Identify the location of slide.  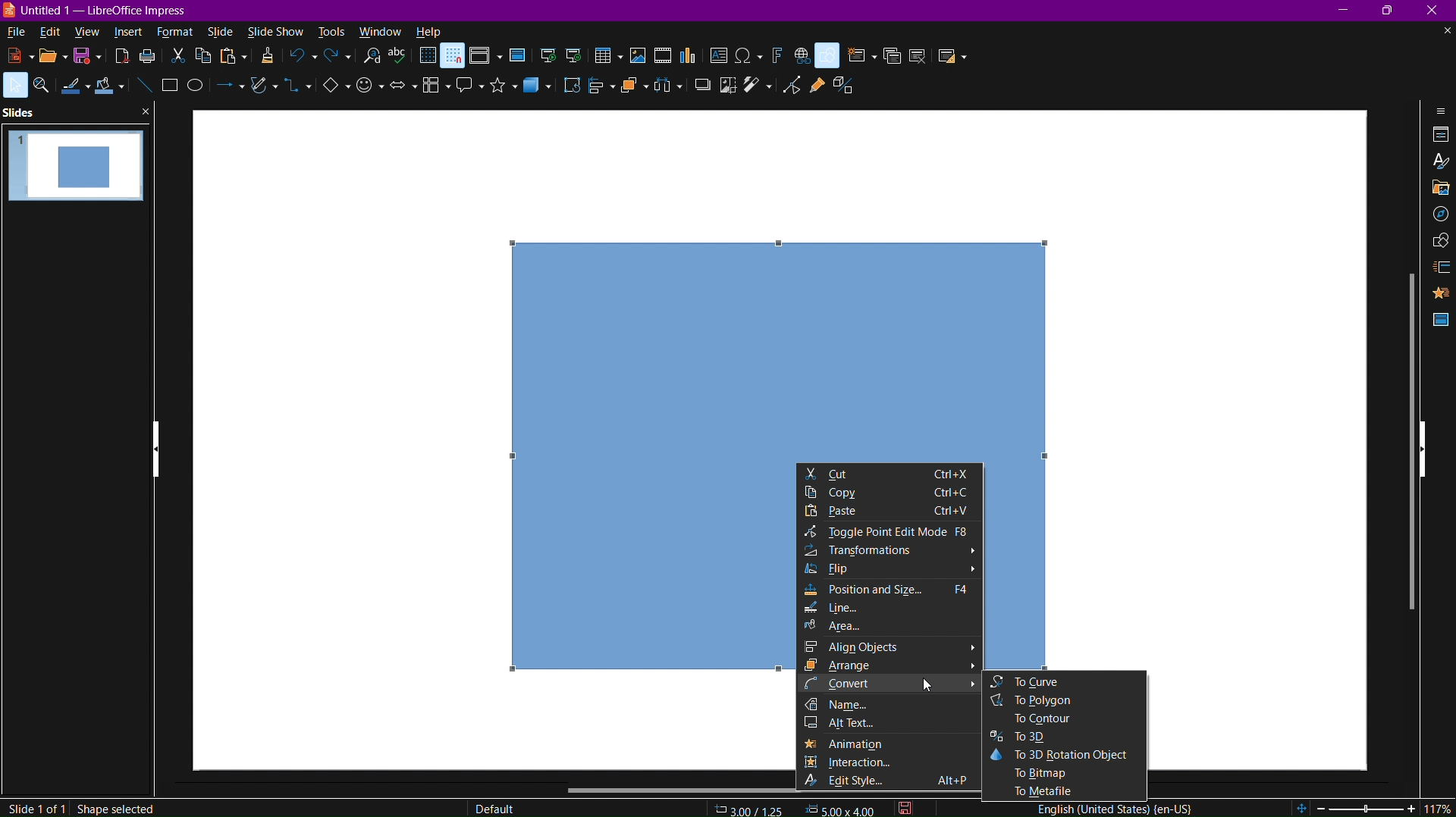
(221, 31).